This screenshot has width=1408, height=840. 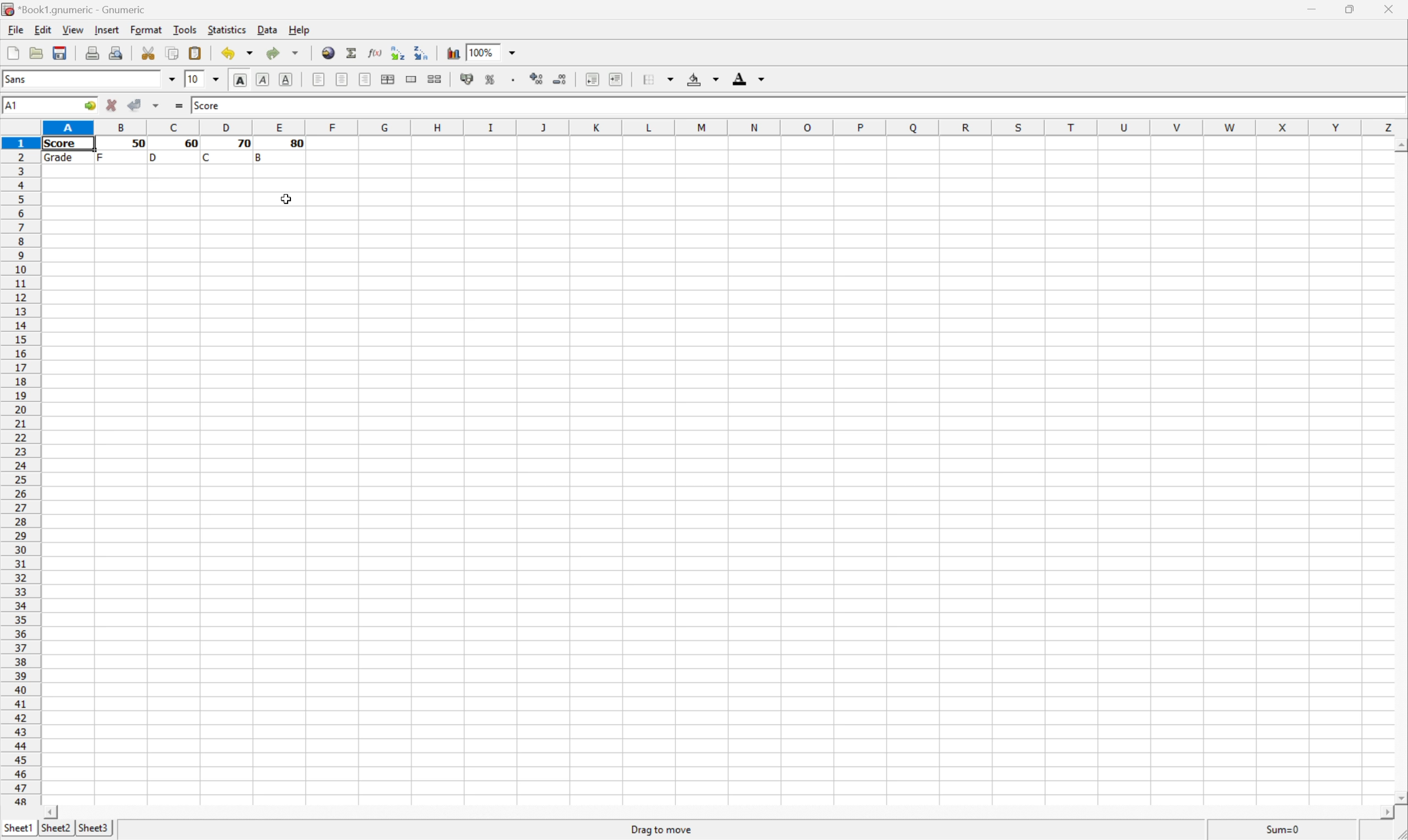 What do you see at coordinates (284, 54) in the screenshot?
I see `Redo` at bounding box center [284, 54].